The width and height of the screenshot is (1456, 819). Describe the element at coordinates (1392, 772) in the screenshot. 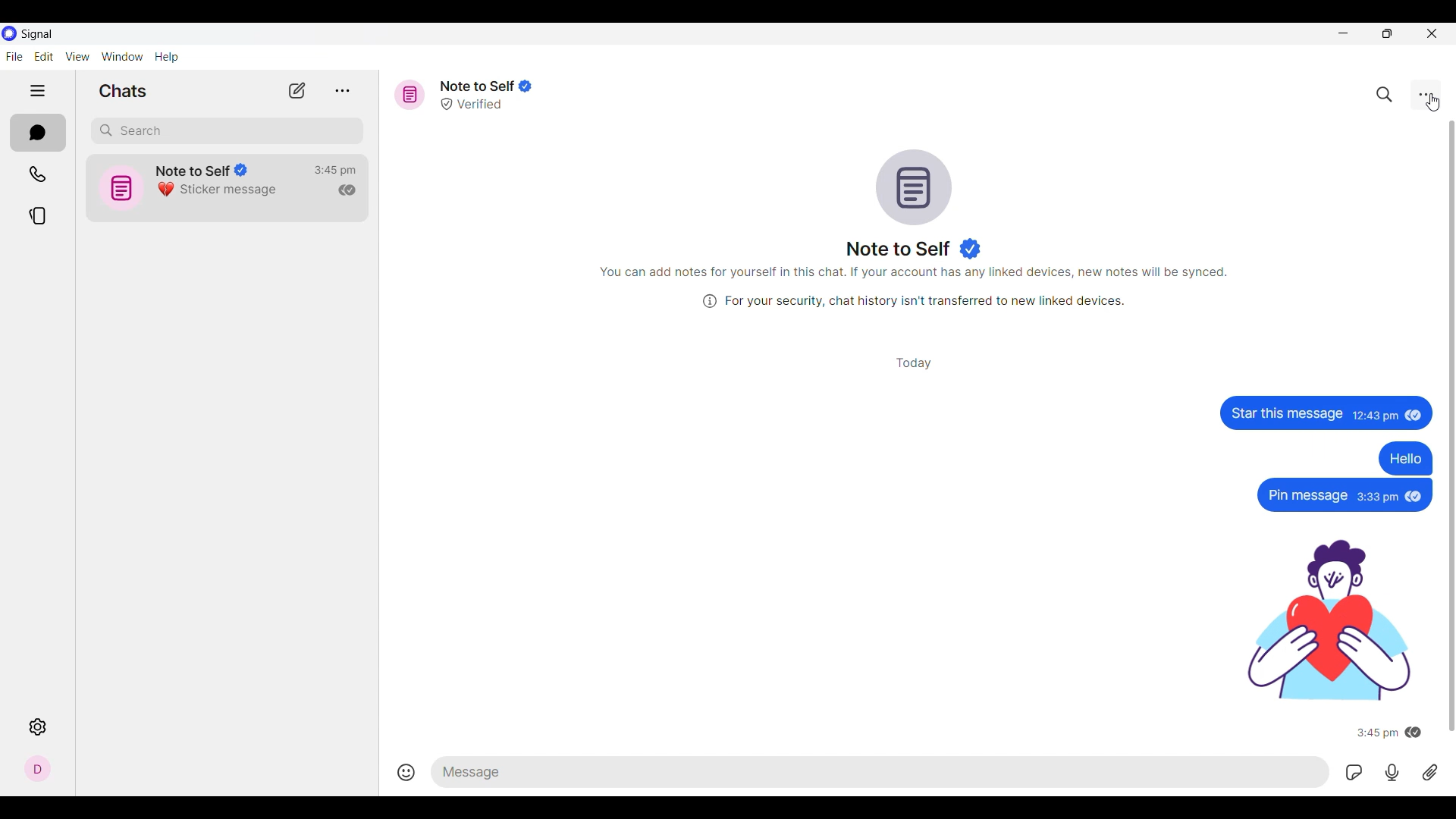

I see `Record voice message` at that location.